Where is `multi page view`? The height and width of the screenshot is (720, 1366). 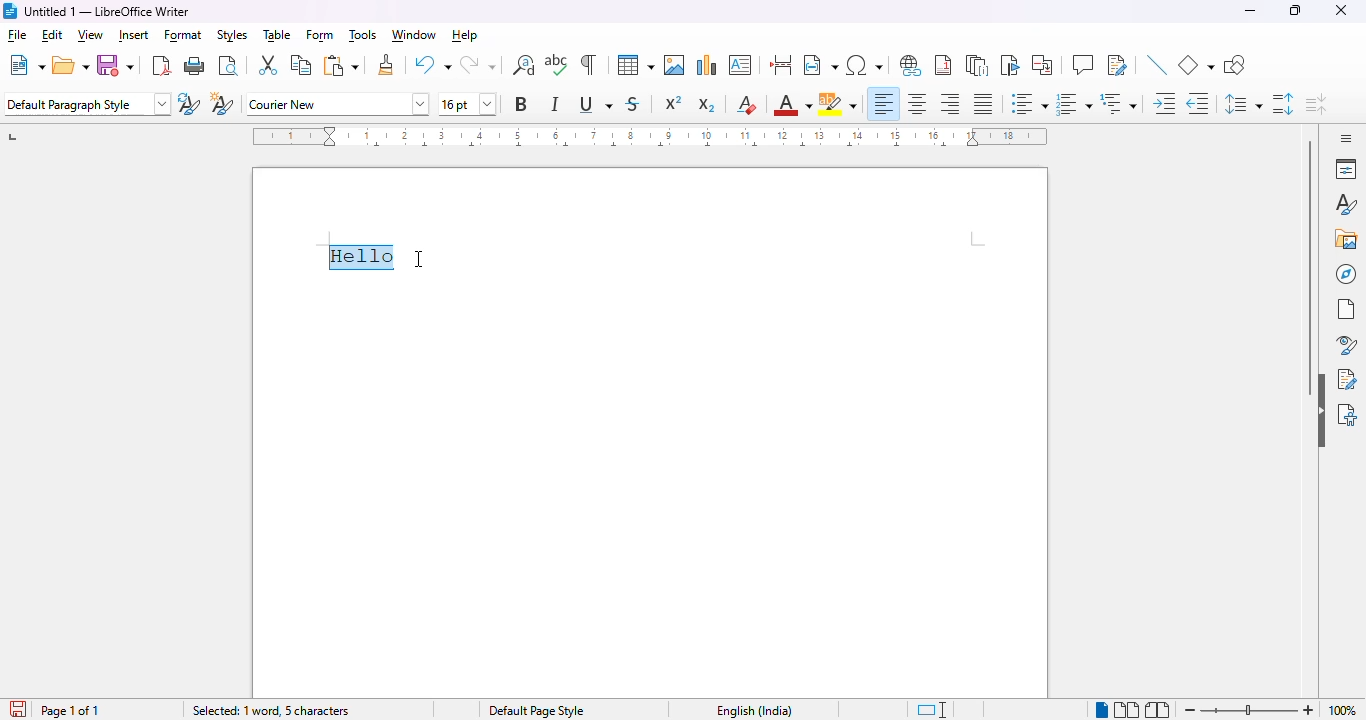
multi page view is located at coordinates (1127, 710).